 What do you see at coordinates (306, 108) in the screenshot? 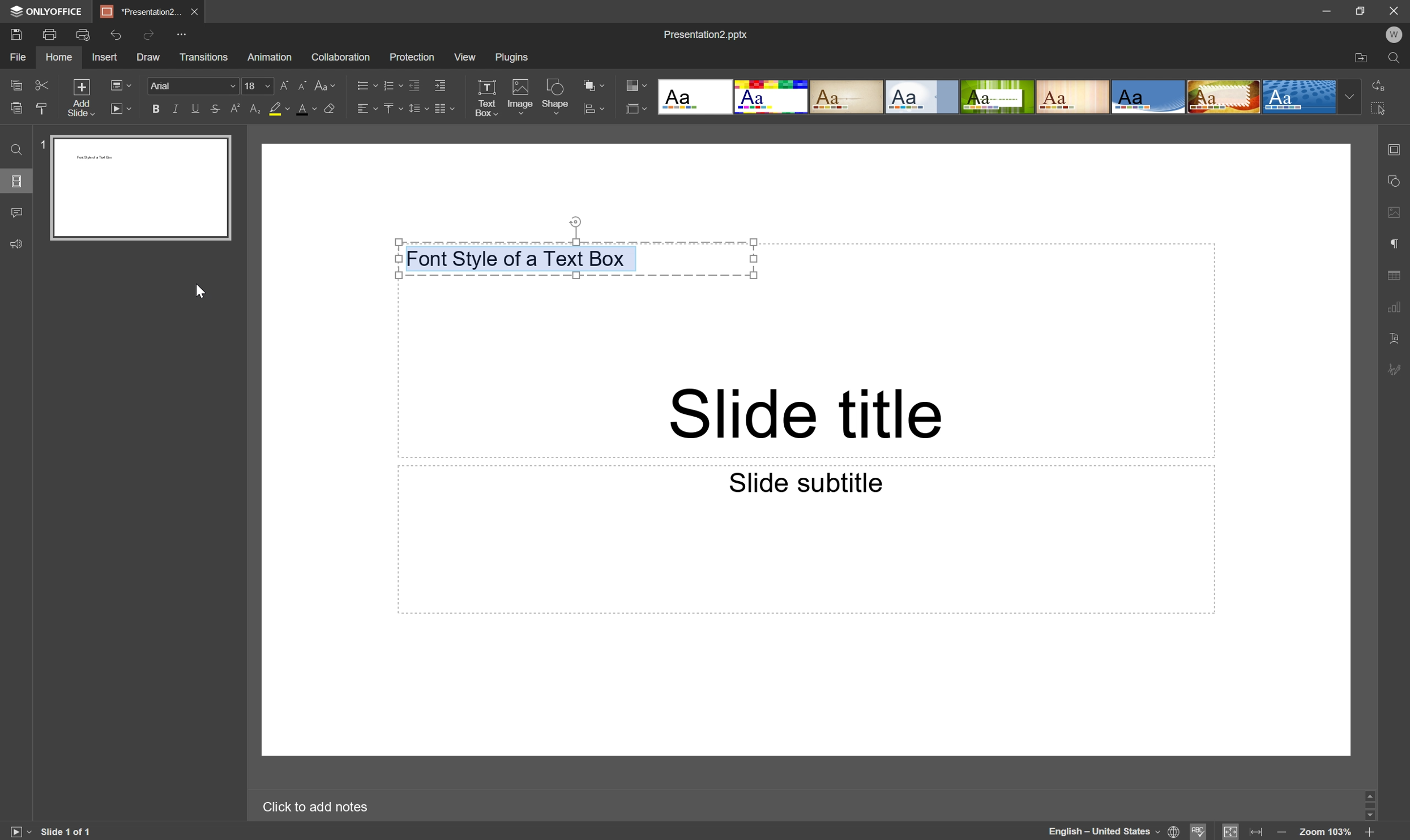
I see `Font color` at bounding box center [306, 108].